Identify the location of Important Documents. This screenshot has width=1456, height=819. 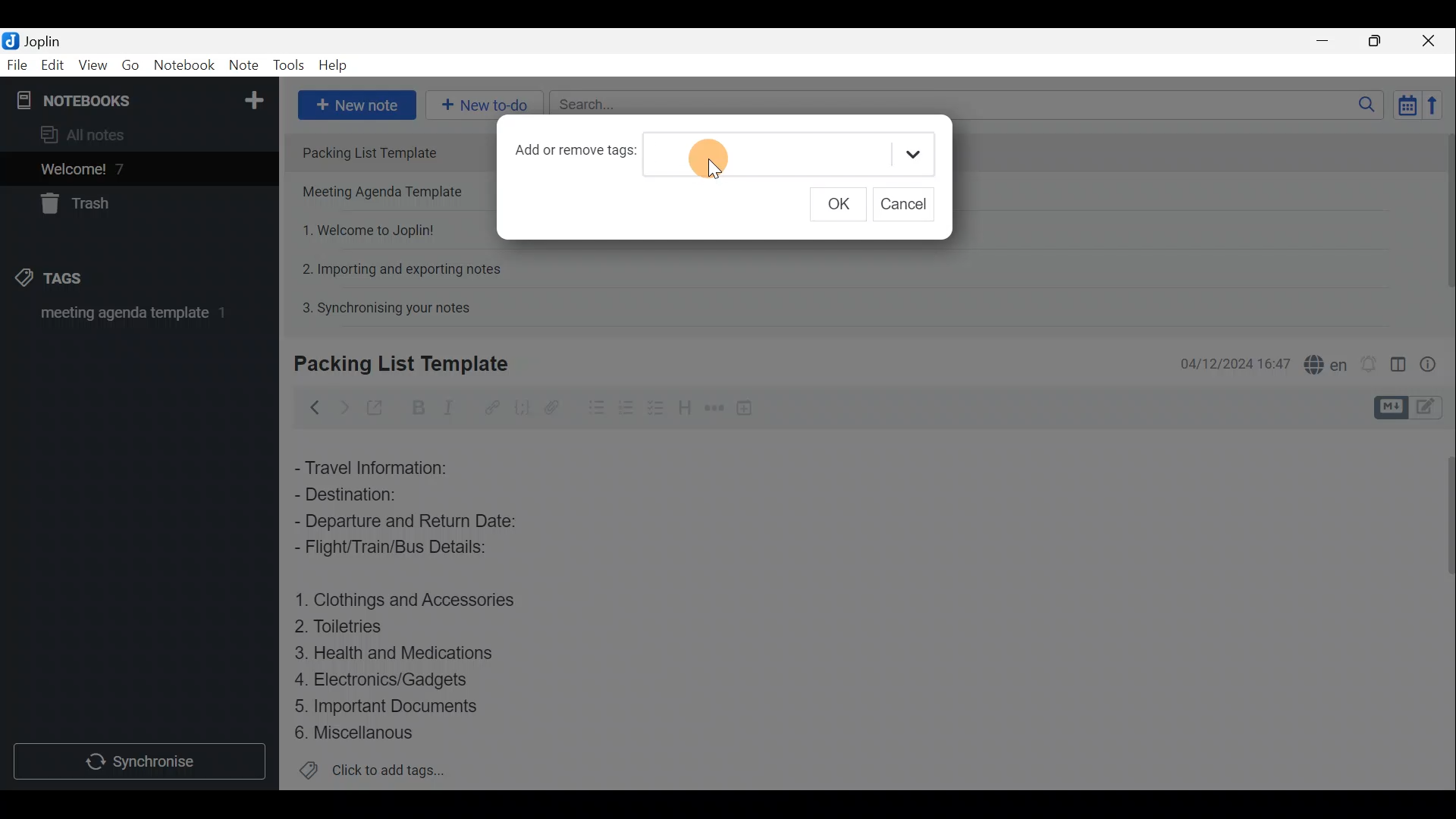
(390, 705).